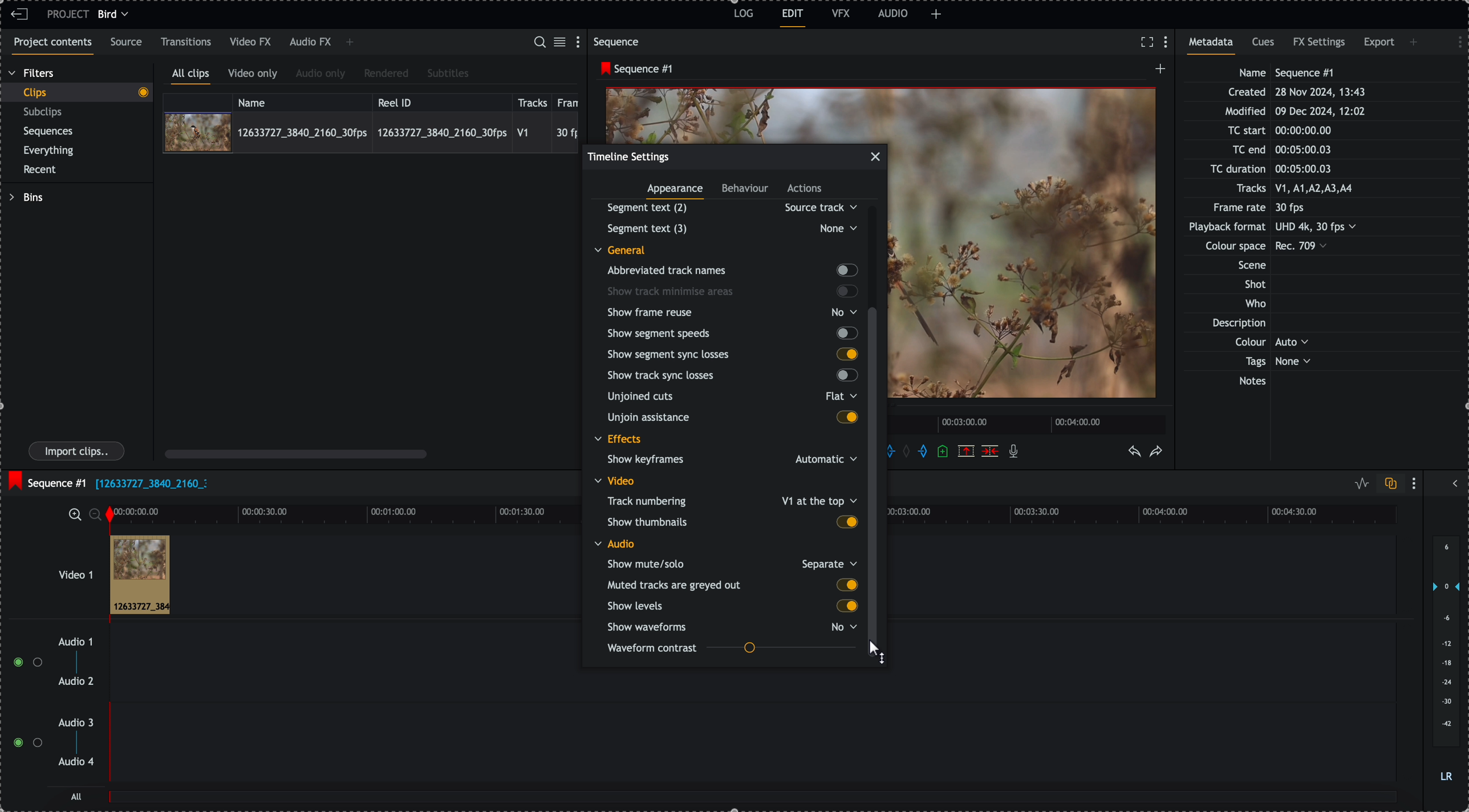 The image size is (1469, 812). Describe the element at coordinates (75, 762) in the screenshot. I see `audio 4` at that location.